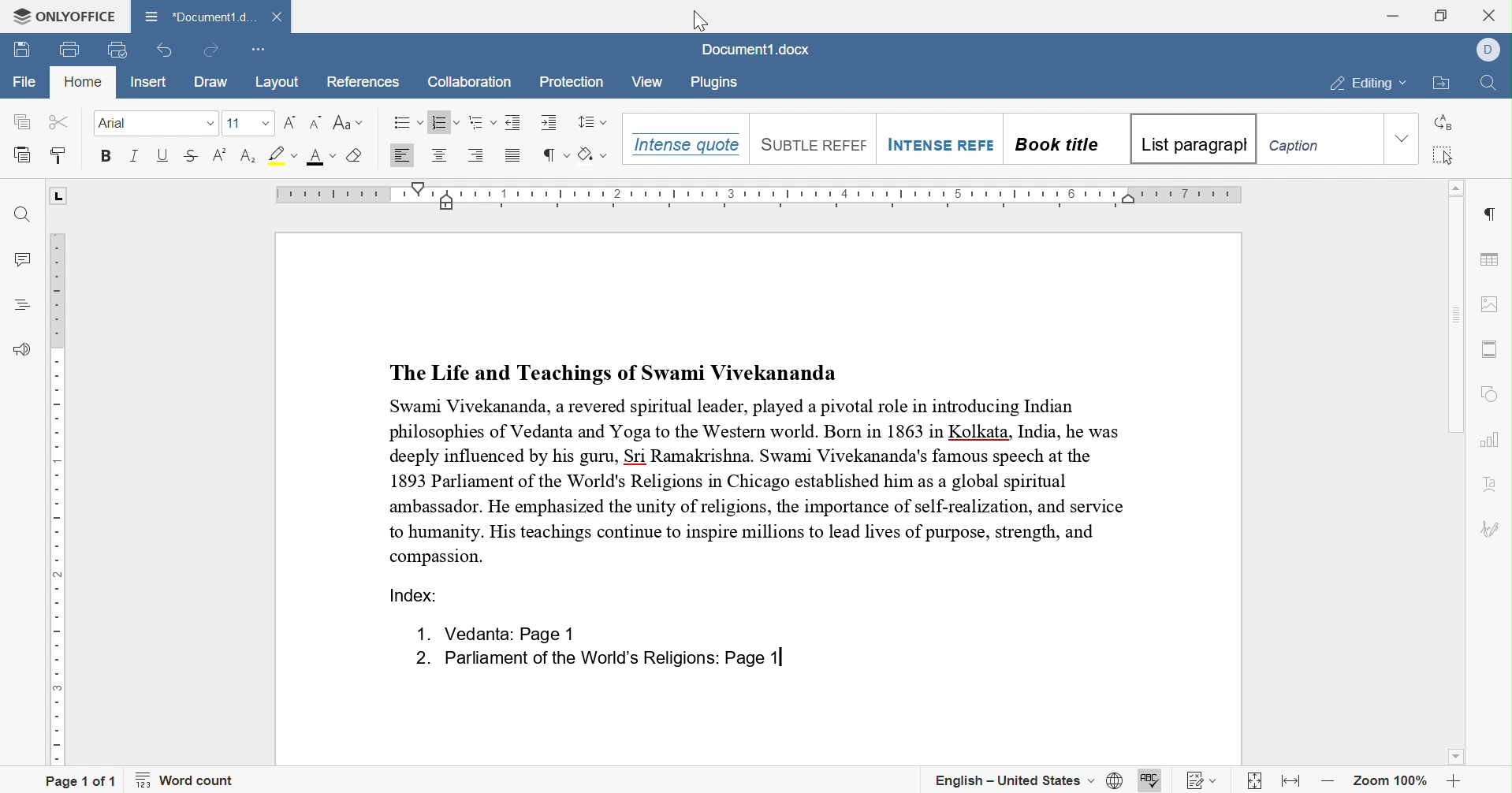 This screenshot has width=1512, height=793. Describe the element at coordinates (1490, 397) in the screenshot. I see `shape settings` at that location.